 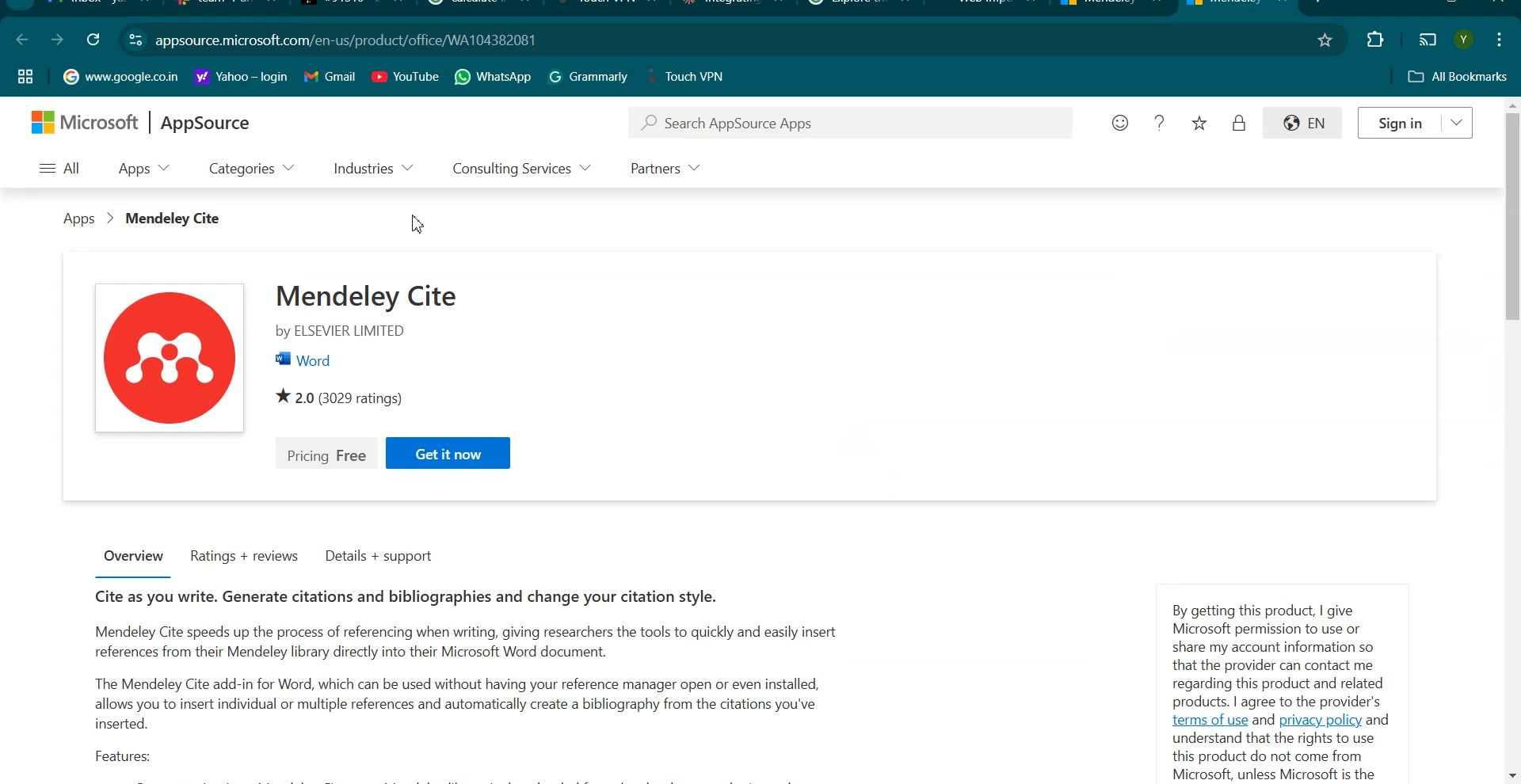 What do you see at coordinates (56, 40) in the screenshot?
I see `Go forward` at bounding box center [56, 40].